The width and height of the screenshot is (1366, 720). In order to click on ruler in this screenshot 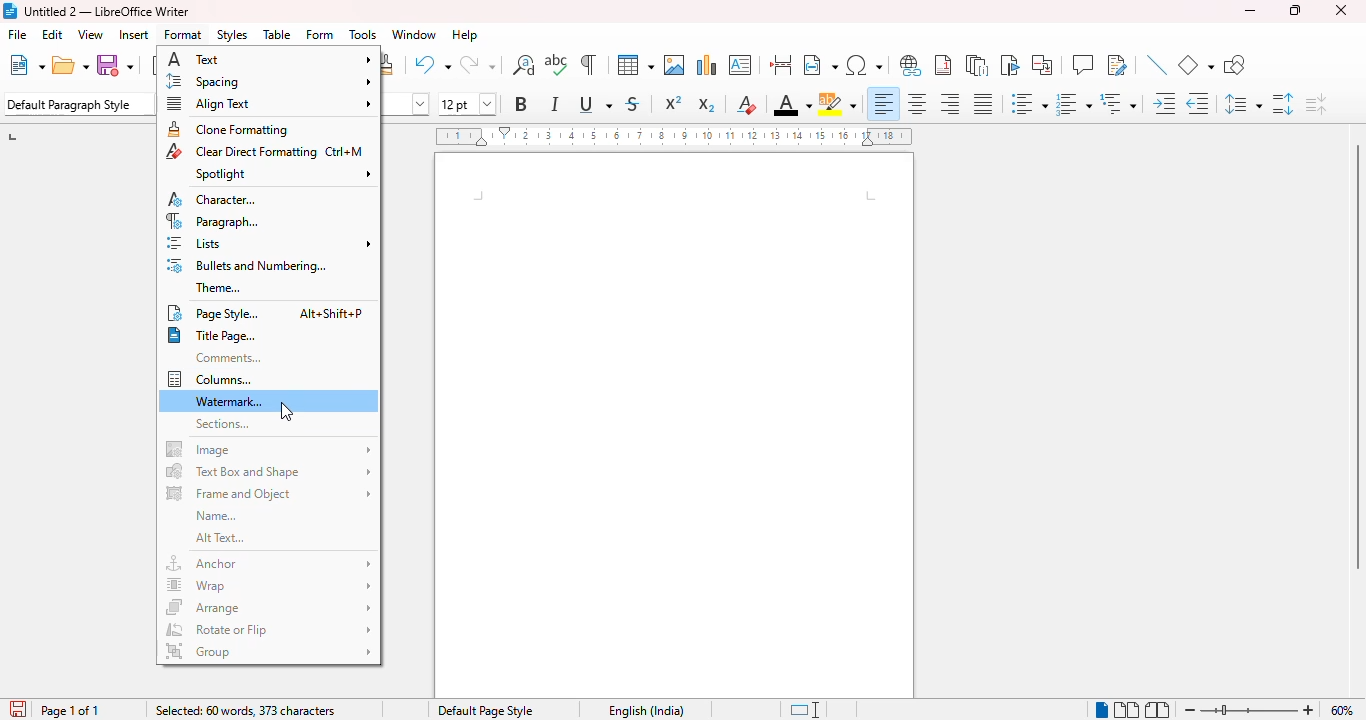, I will do `click(674, 136)`.